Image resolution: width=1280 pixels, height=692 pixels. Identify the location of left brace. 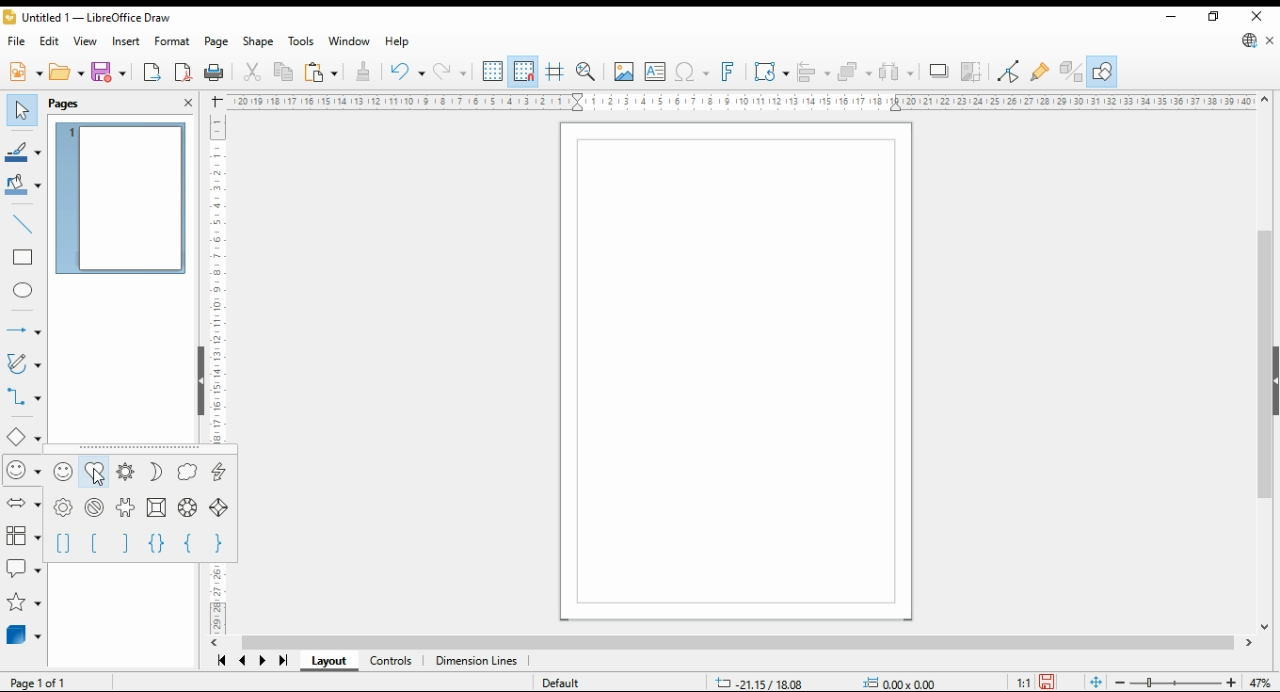
(190, 542).